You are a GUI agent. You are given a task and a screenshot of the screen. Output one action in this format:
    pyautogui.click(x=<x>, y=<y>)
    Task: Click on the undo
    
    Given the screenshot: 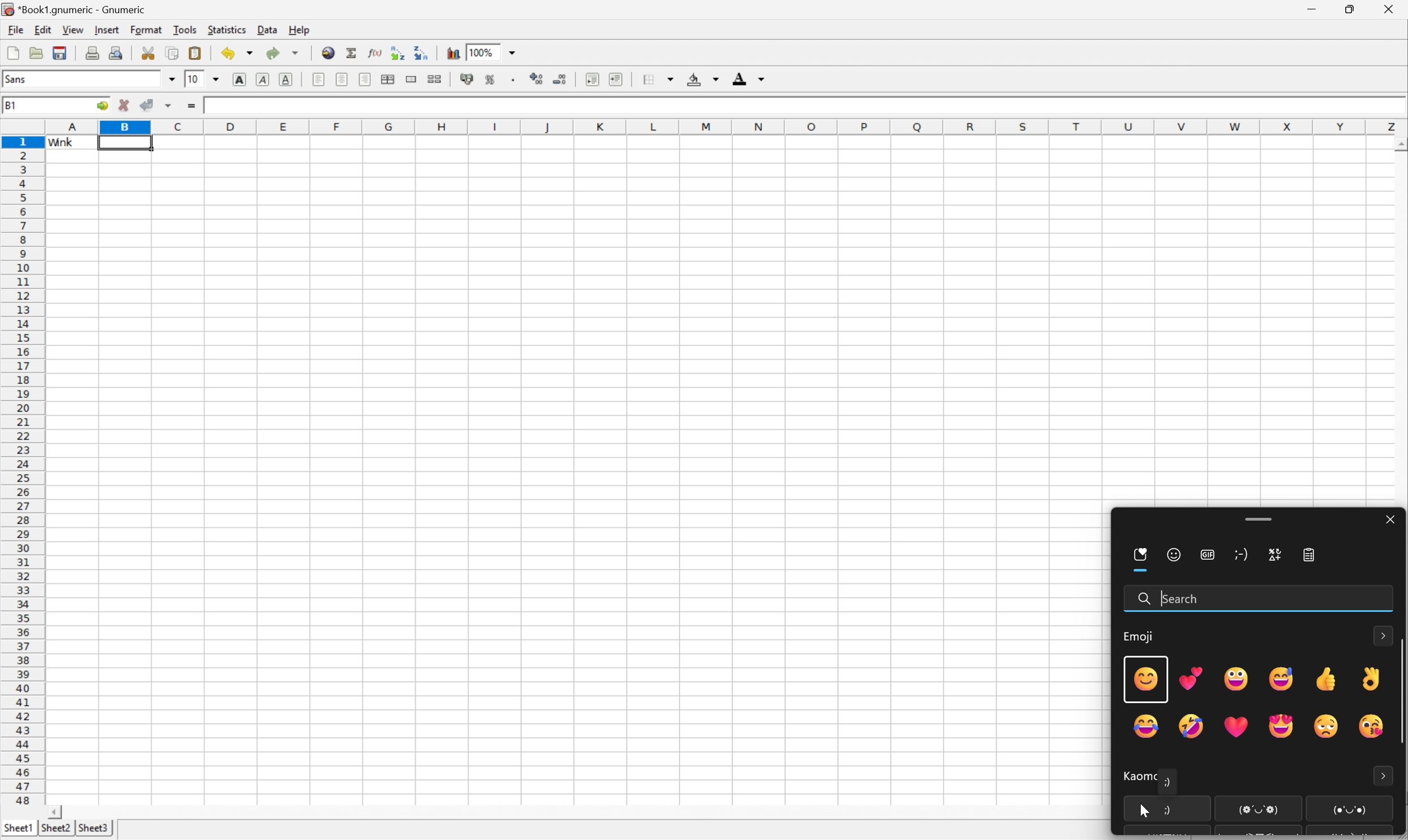 What is the action you would take?
    pyautogui.click(x=236, y=54)
    